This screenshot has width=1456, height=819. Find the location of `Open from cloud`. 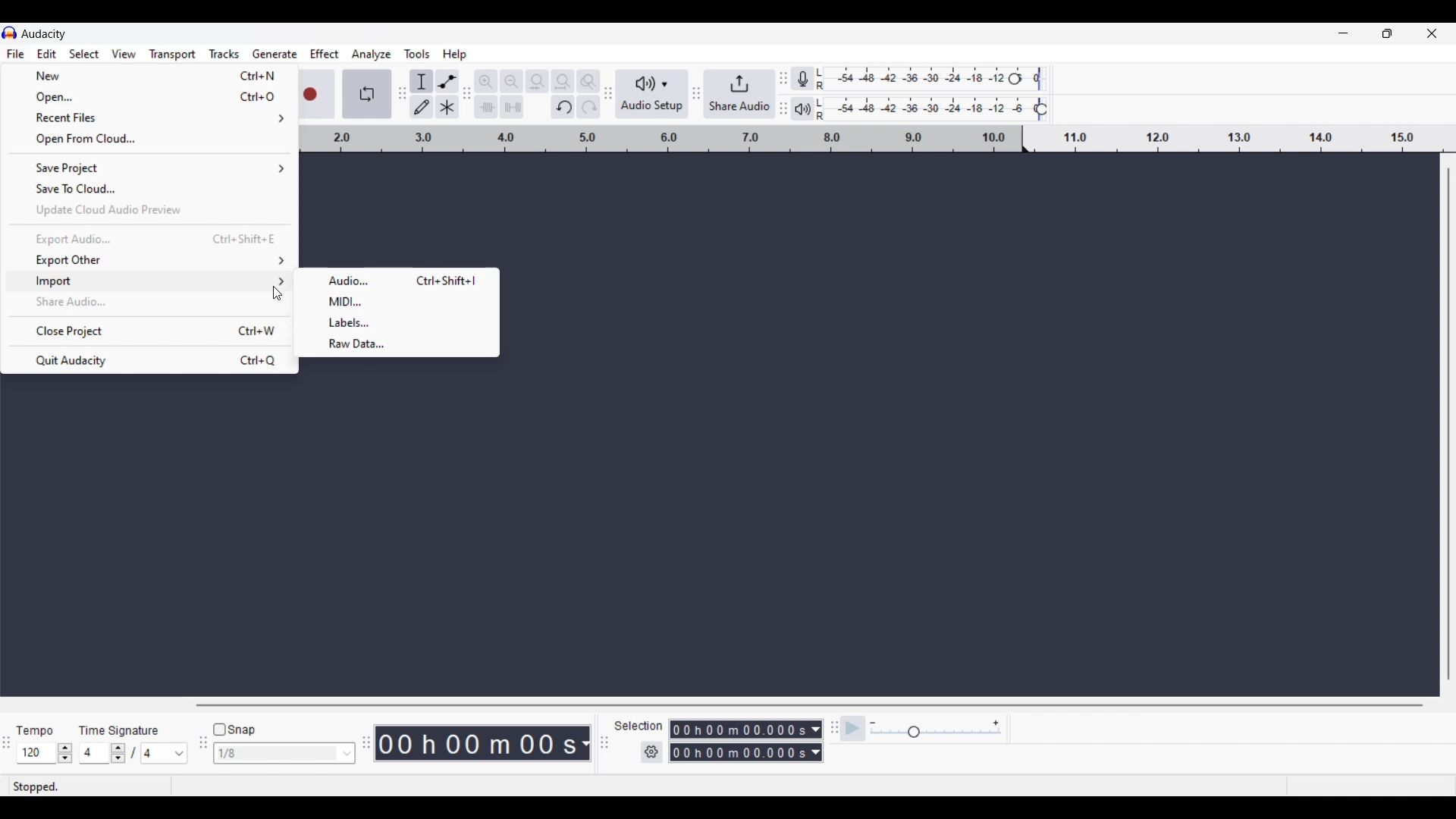

Open from cloud is located at coordinates (149, 139).